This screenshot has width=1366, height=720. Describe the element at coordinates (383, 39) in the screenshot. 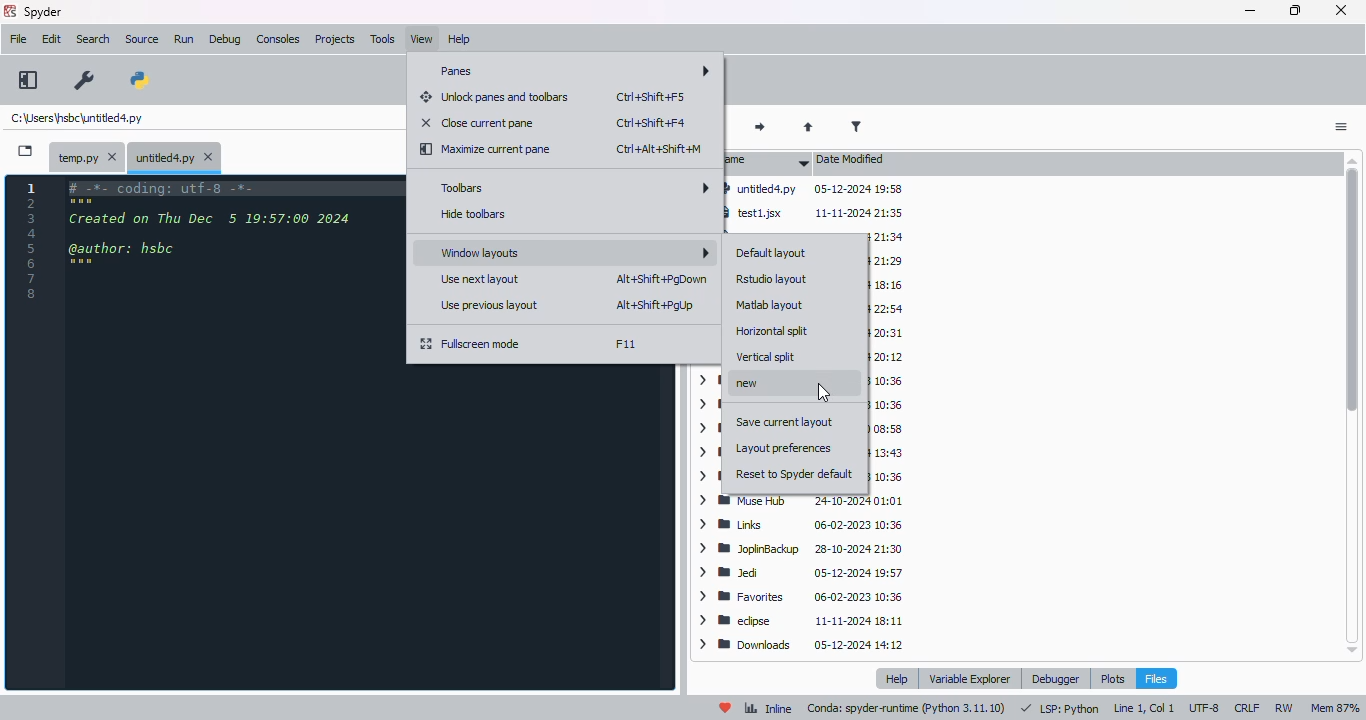

I see `tools` at that location.